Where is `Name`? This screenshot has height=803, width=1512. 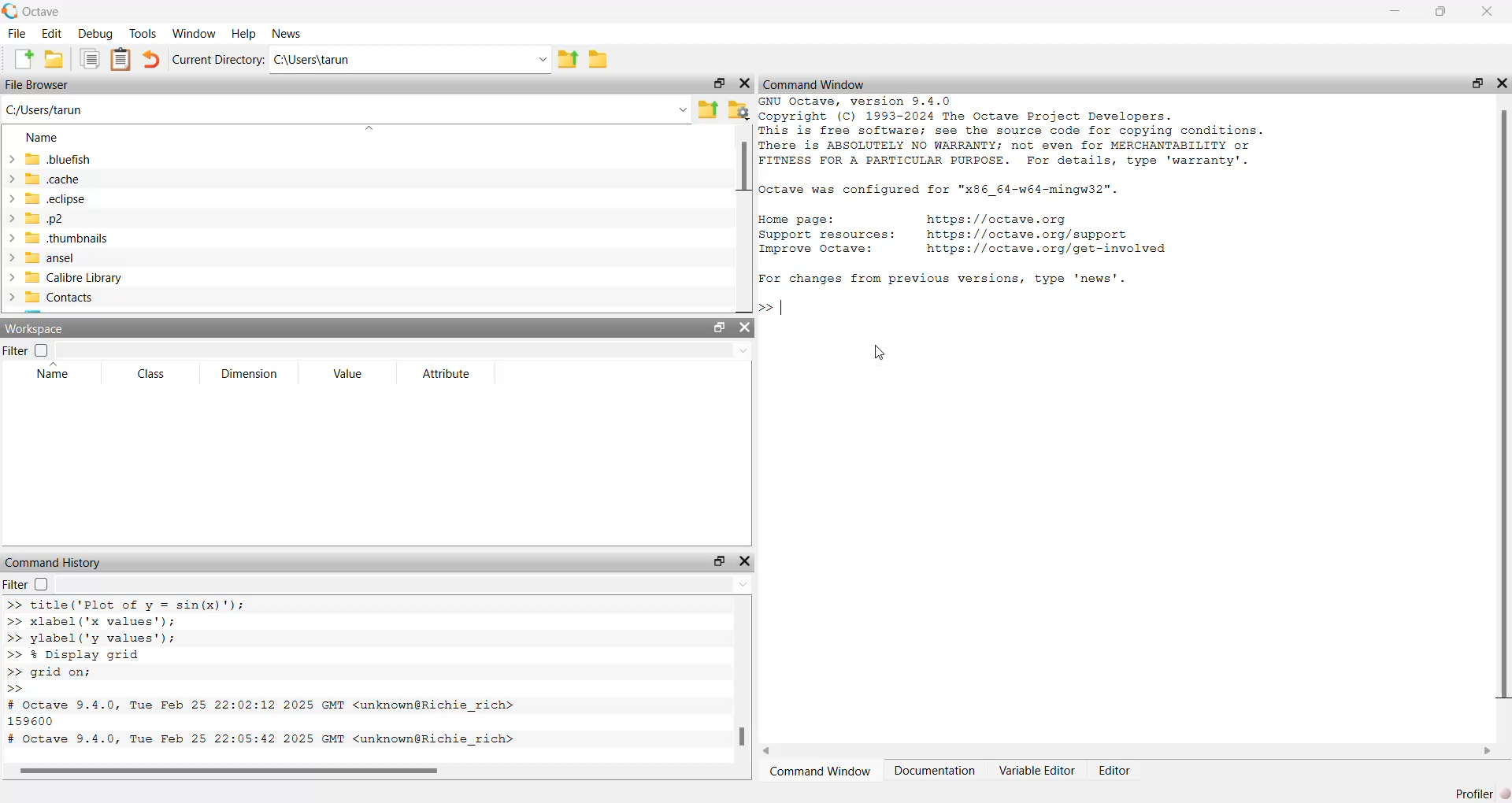
Name is located at coordinates (56, 372).